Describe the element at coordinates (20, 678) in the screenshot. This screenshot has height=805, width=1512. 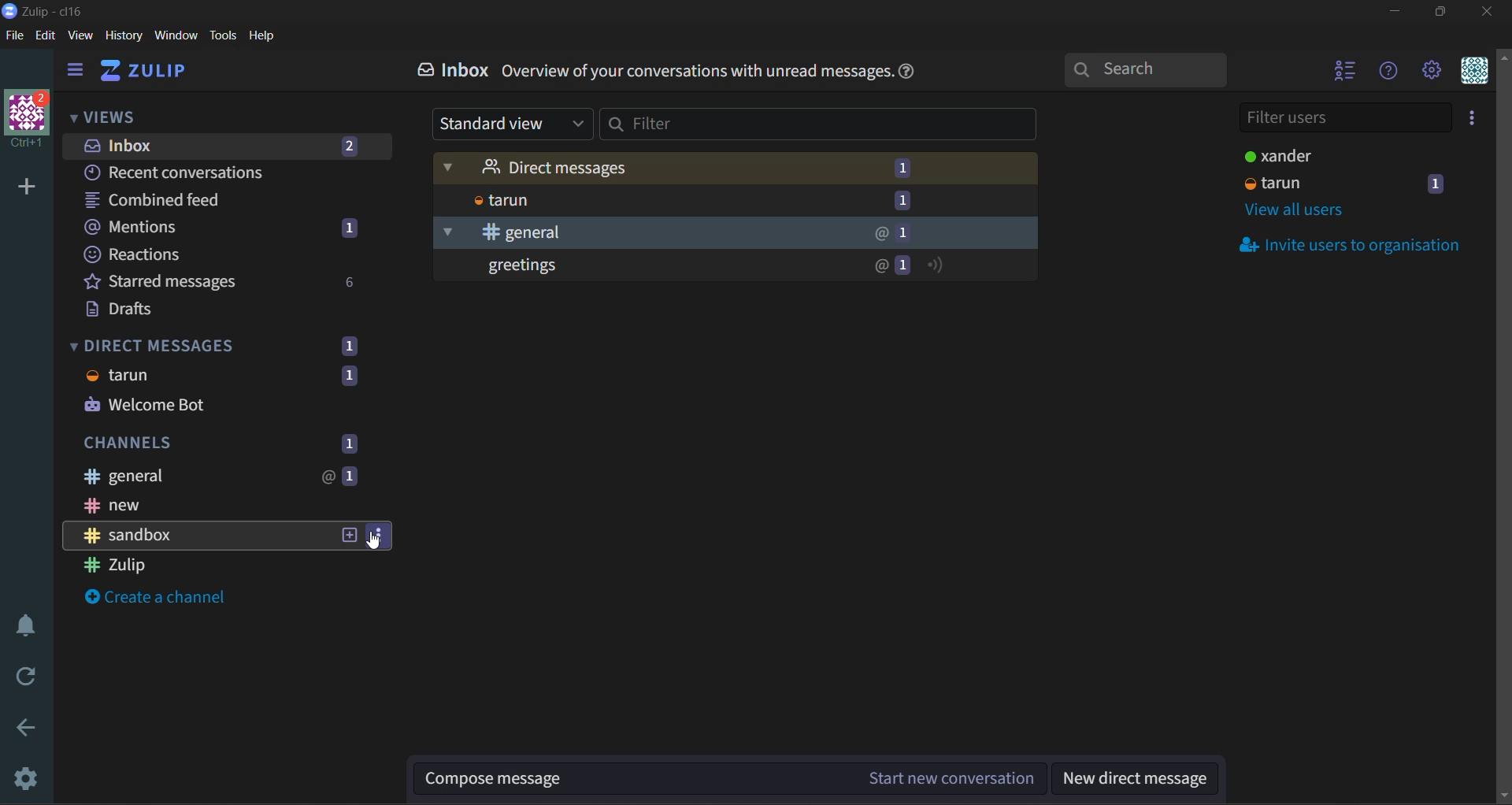
I see `reload` at that location.